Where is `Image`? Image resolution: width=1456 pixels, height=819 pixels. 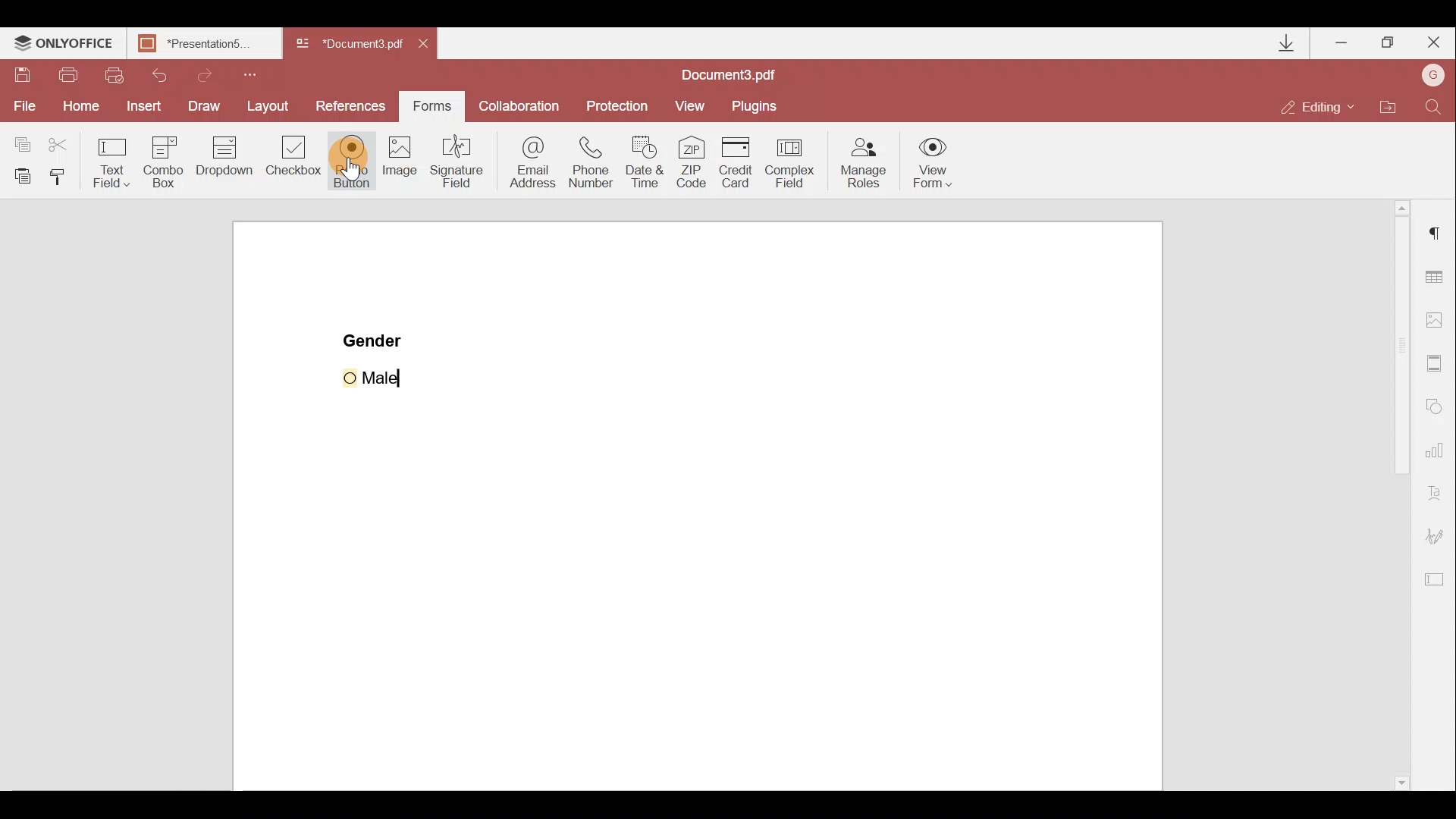 Image is located at coordinates (401, 171).